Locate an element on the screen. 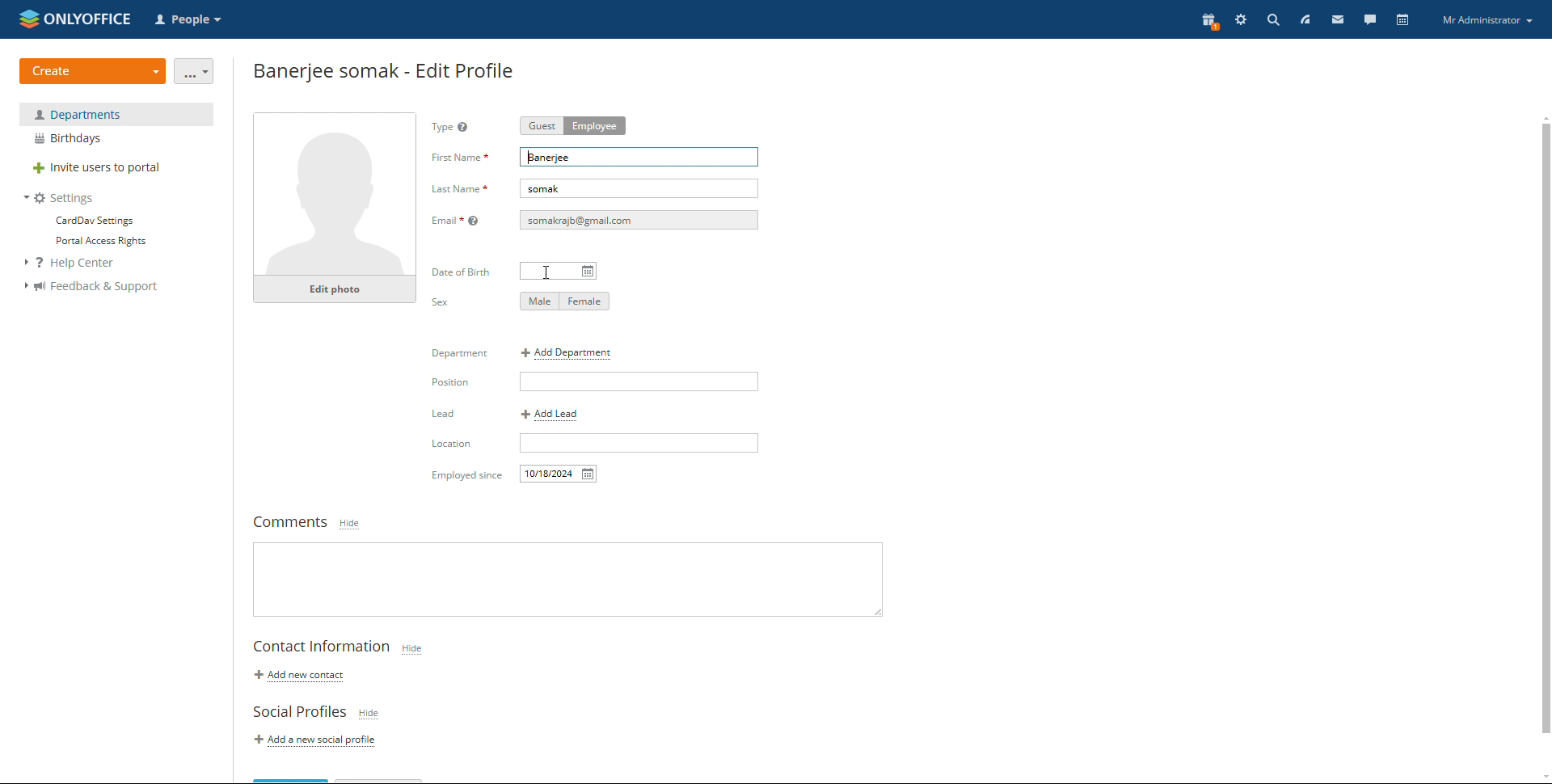 The image size is (1552, 784). hide is located at coordinates (369, 714).